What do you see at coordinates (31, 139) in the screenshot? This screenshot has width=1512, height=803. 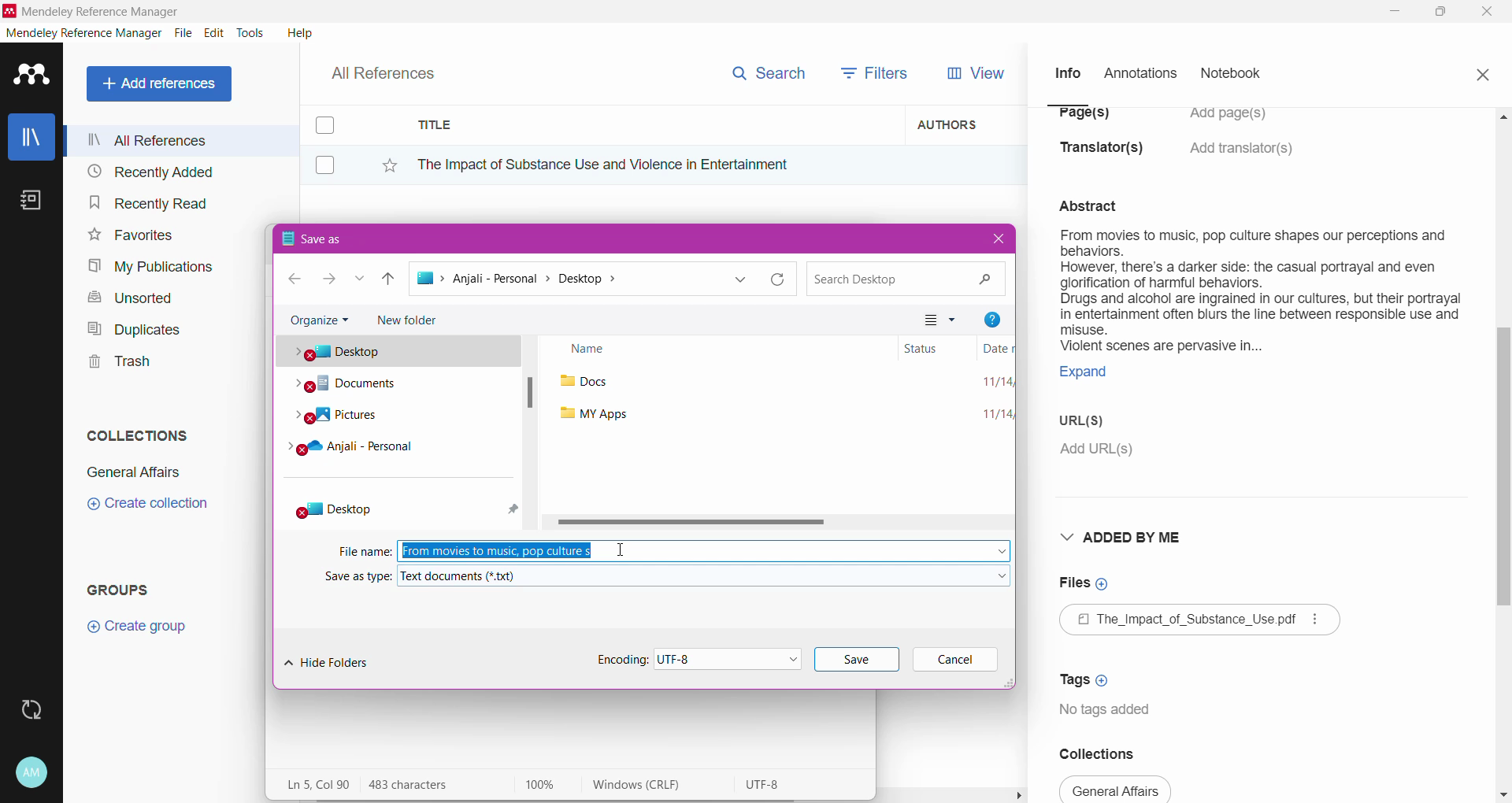 I see `Library` at bounding box center [31, 139].